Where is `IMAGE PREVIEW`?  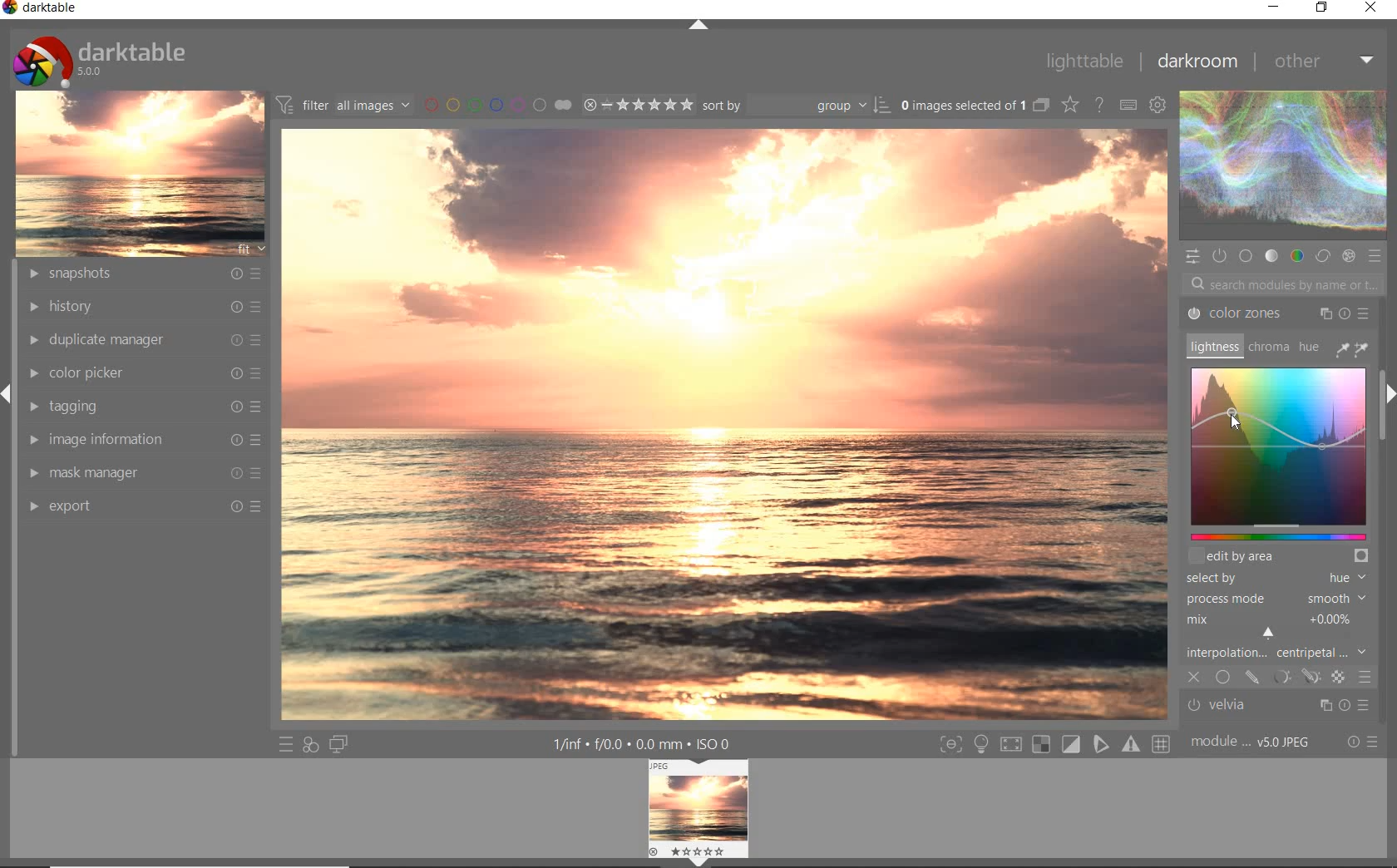 IMAGE PREVIEW is located at coordinates (698, 814).